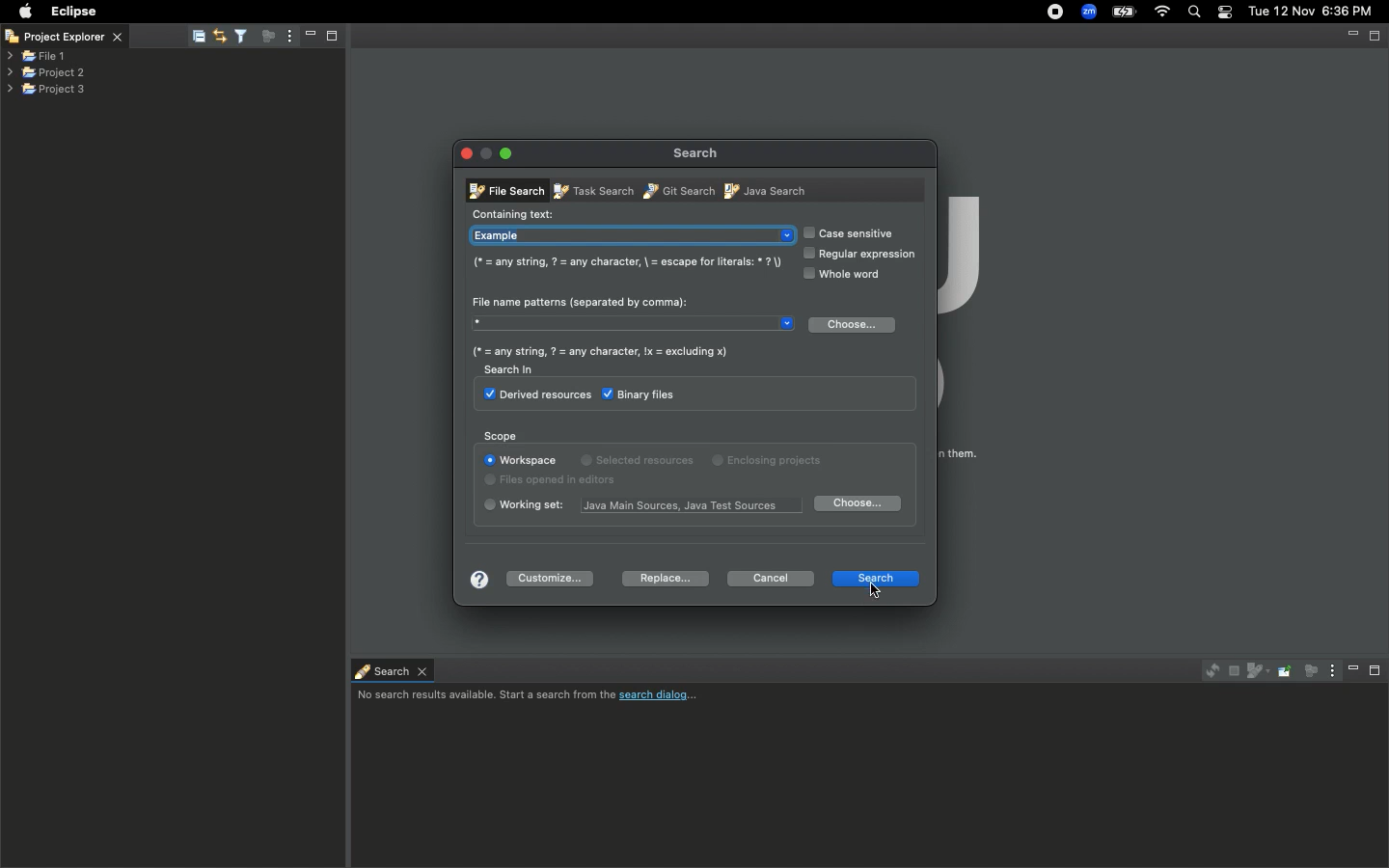  Describe the element at coordinates (503, 190) in the screenshot. I see `File search` at that location.